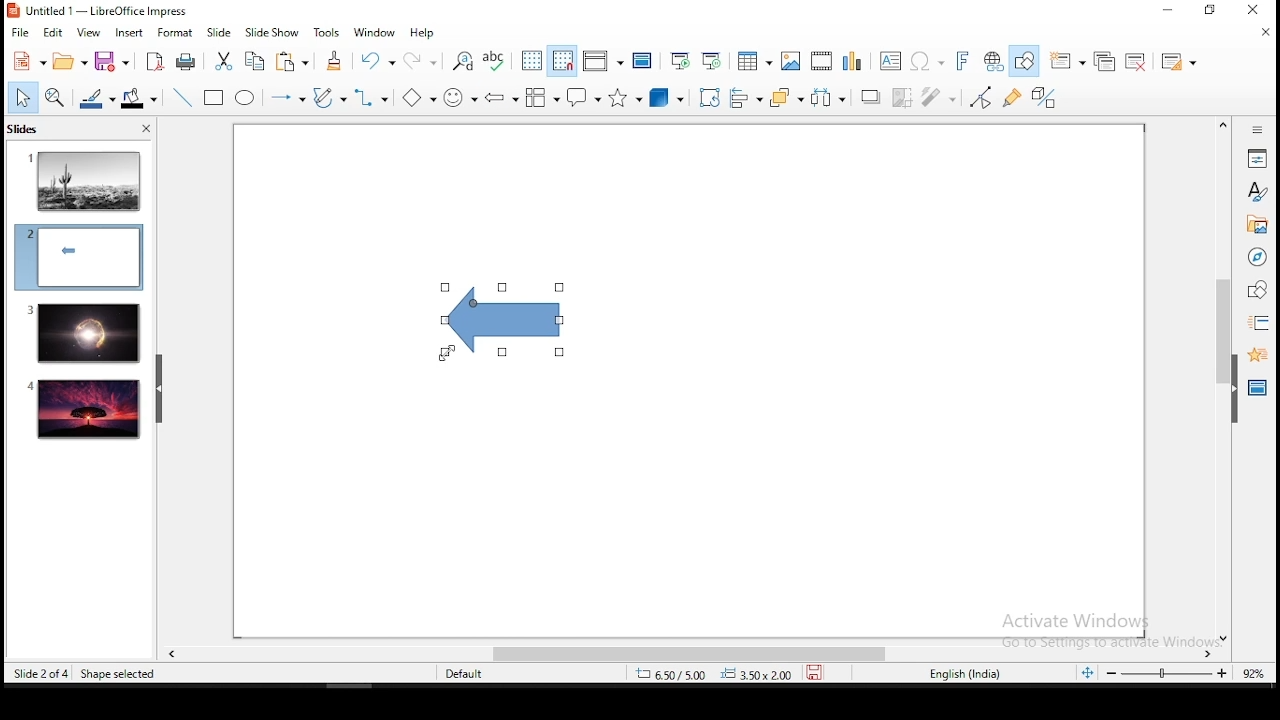 The width and height of the screenshot is (1280, 720). I want to click on save, so click(819, 672).